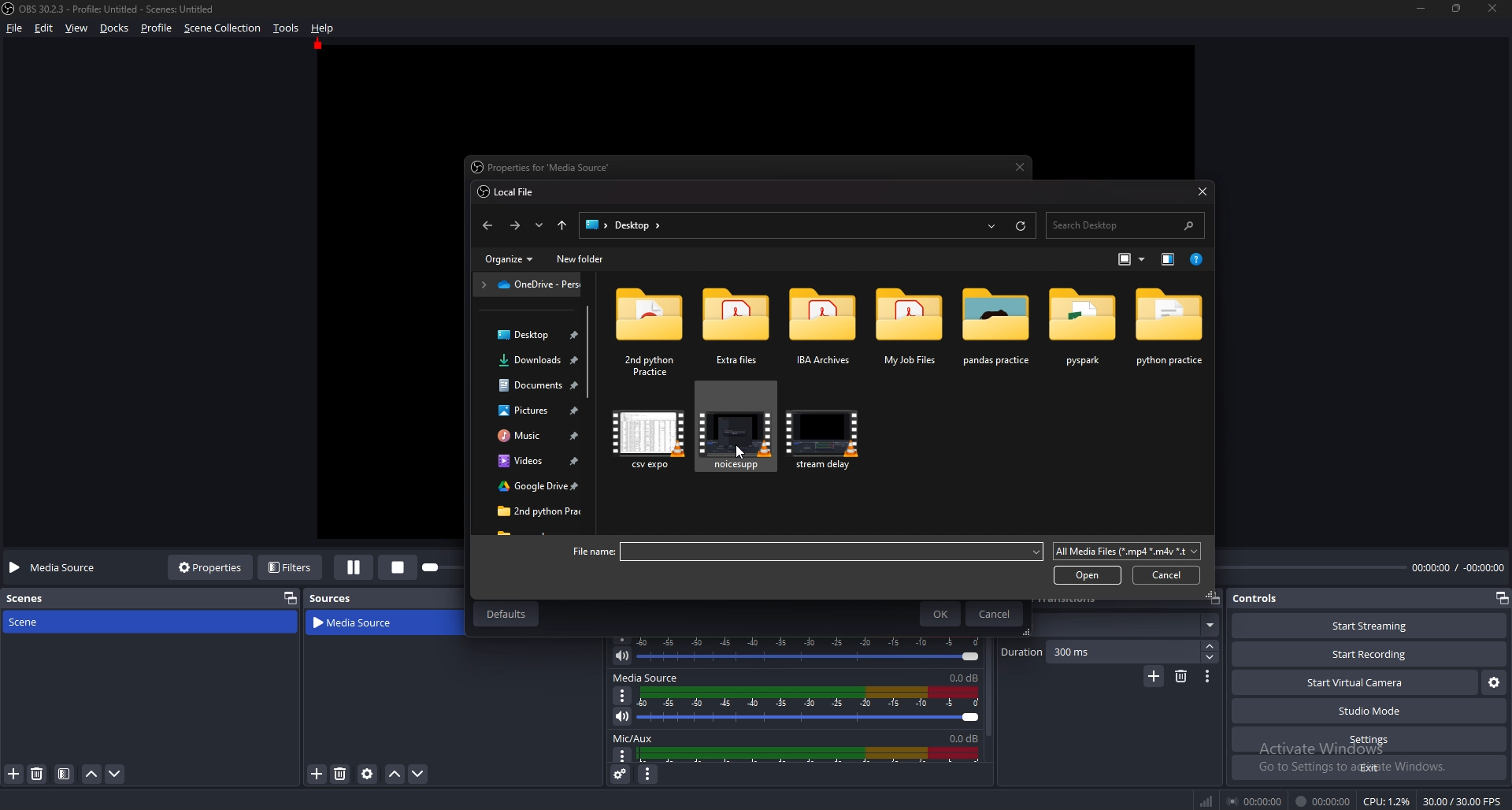 Image resolution: width=1512 pixels, height=810 pixels. I want to click on folder, so click(997, 327).